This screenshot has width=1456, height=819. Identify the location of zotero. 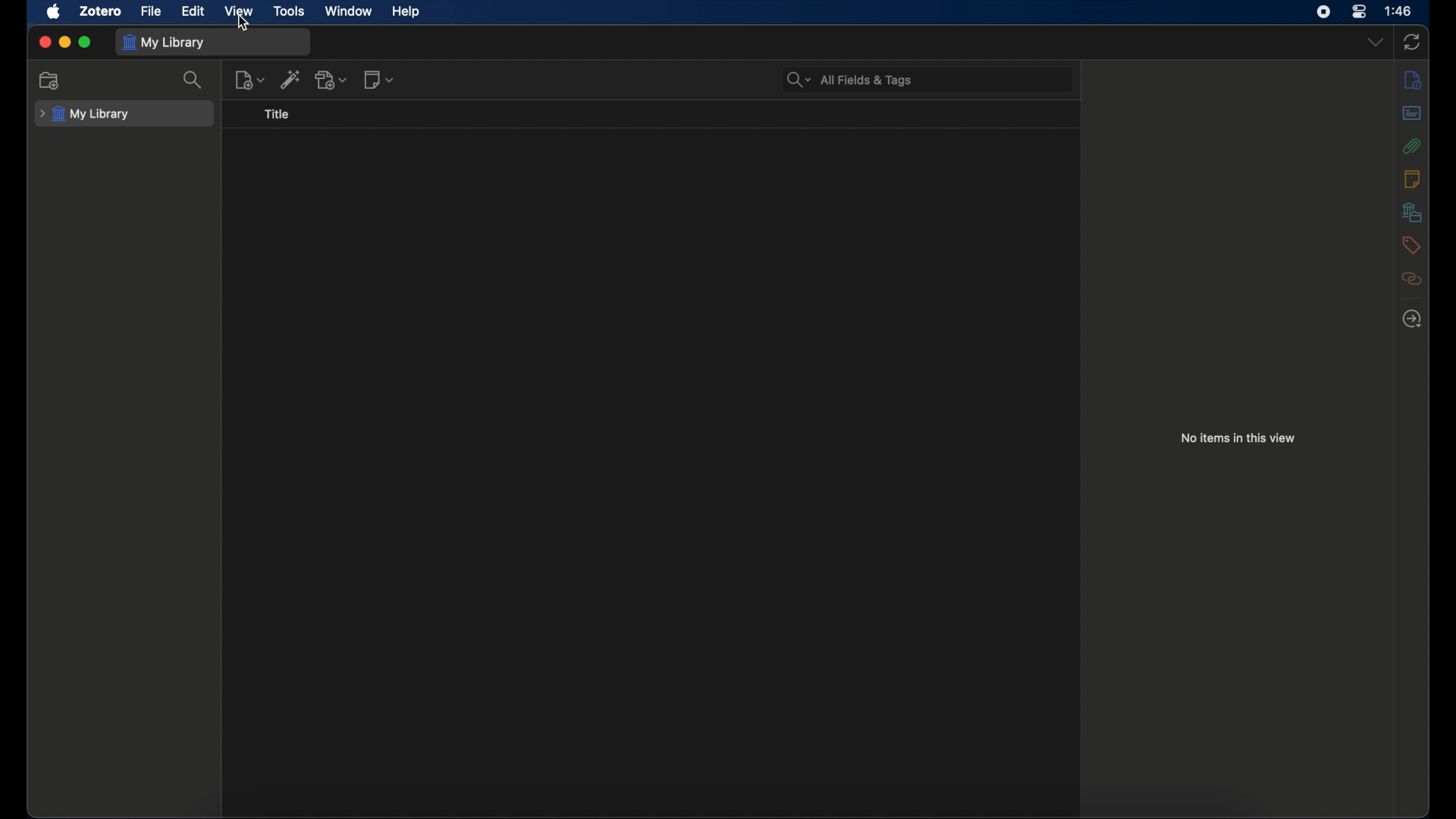
(99, 11).